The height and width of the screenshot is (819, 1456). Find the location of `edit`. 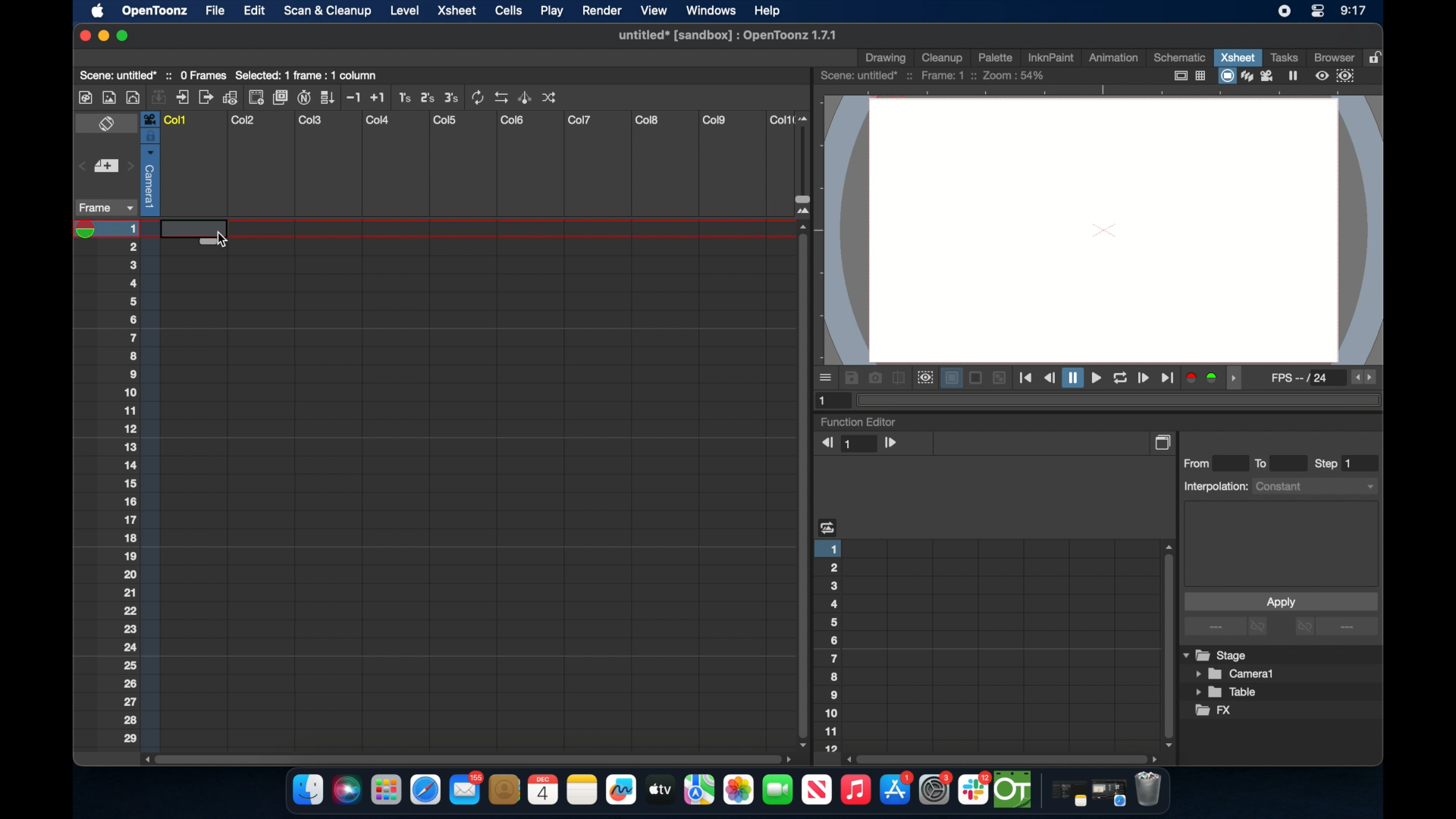

edit is located at coordinates (252, 11).